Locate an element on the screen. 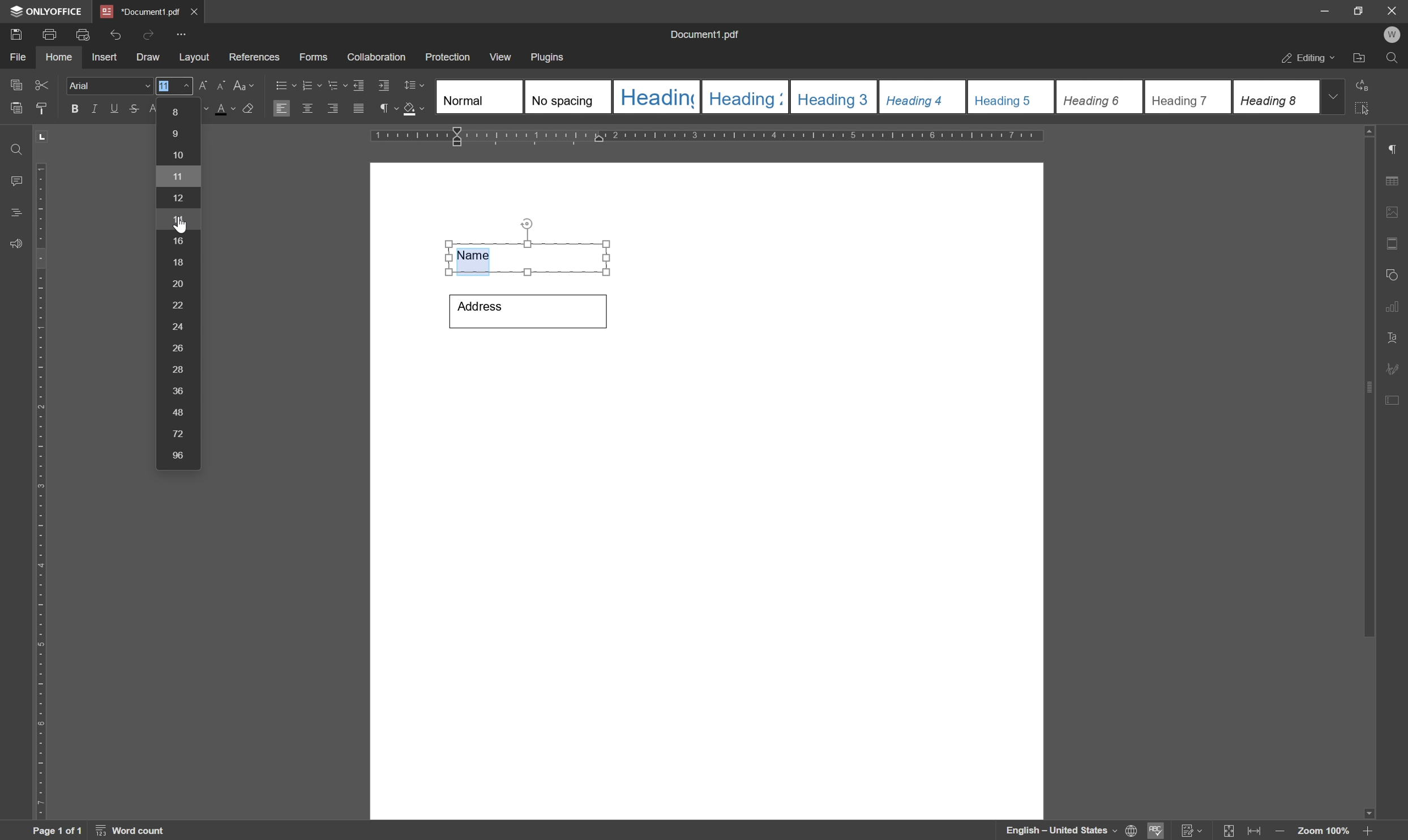 This screenshot has height=840, width=1408. file is located at coordinates (16, 57).